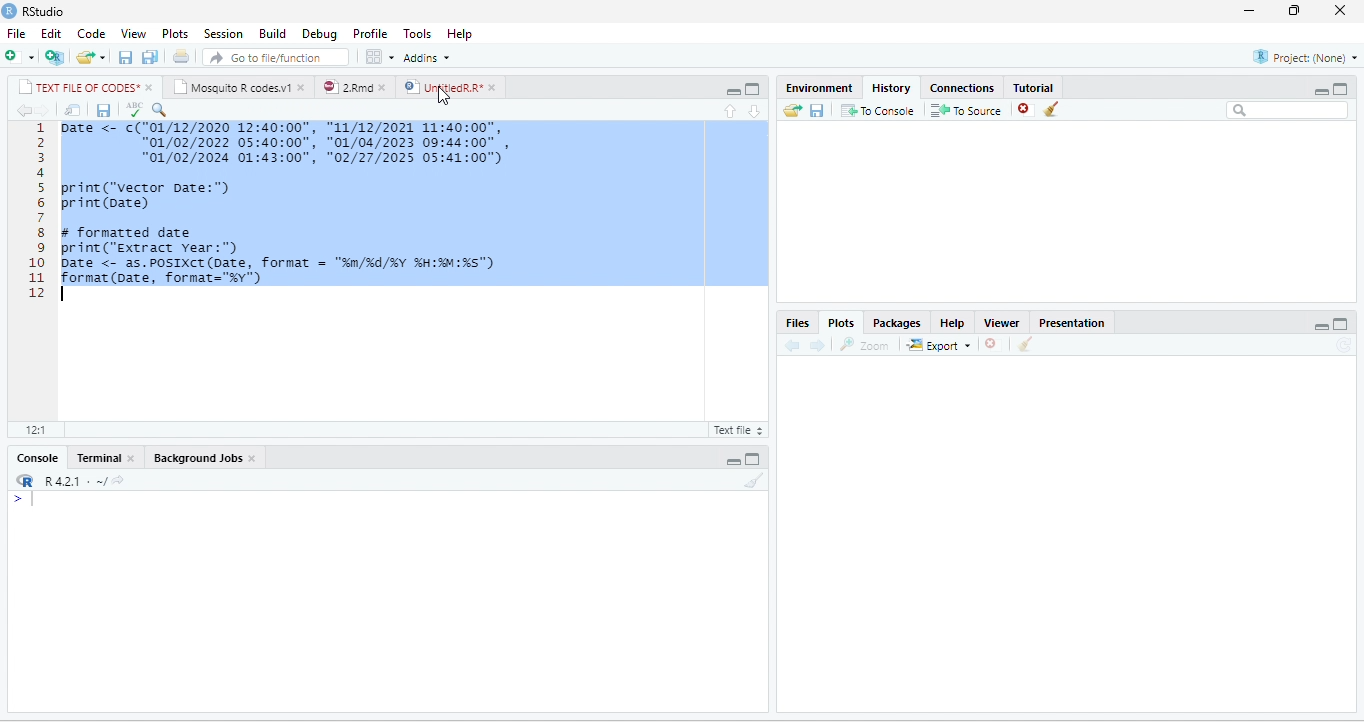 This screenshot has height=722, width=1364. What do you see at coordinates (92, 34) in the screenshot?
I see `Code` at bounding box center [92, 34].